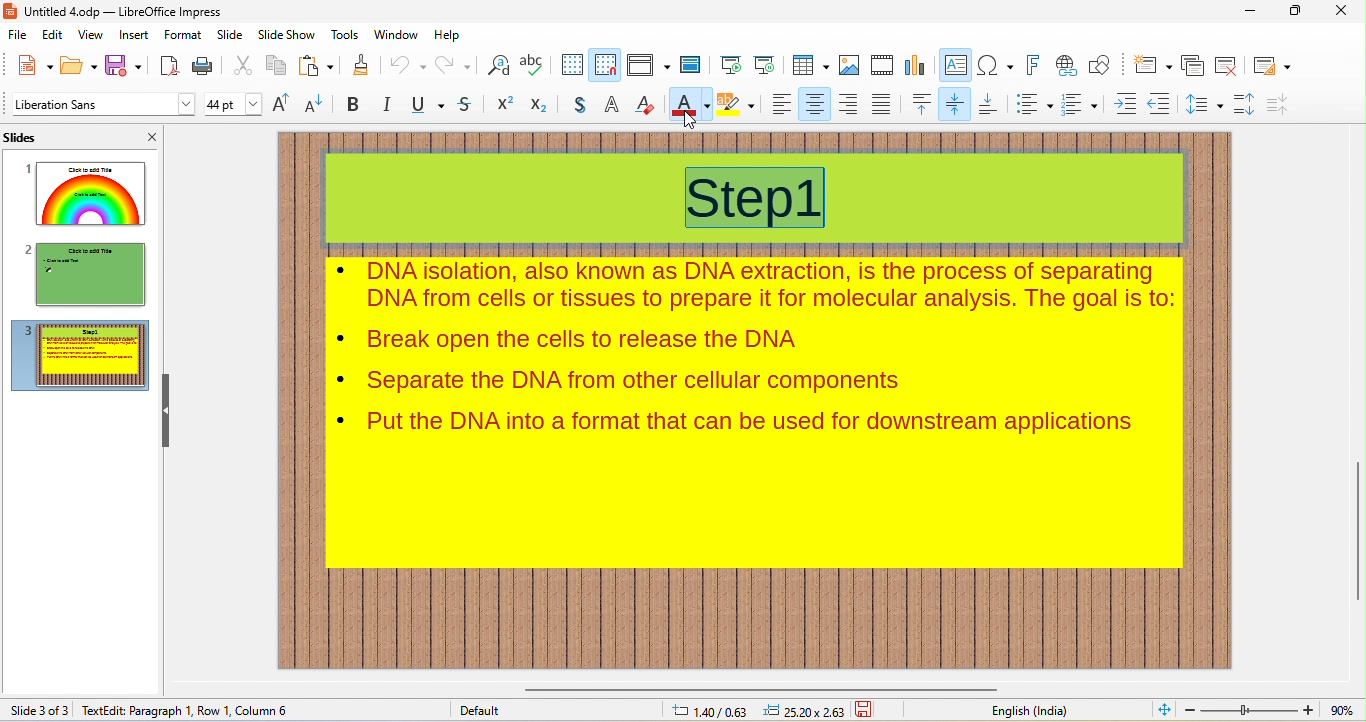 The width and height of the screenshot is (1366, 722). What do you see at coordinates (1162, 103) in the screenshot?
I see `decrease indent` at bounding box center [1162, 103].